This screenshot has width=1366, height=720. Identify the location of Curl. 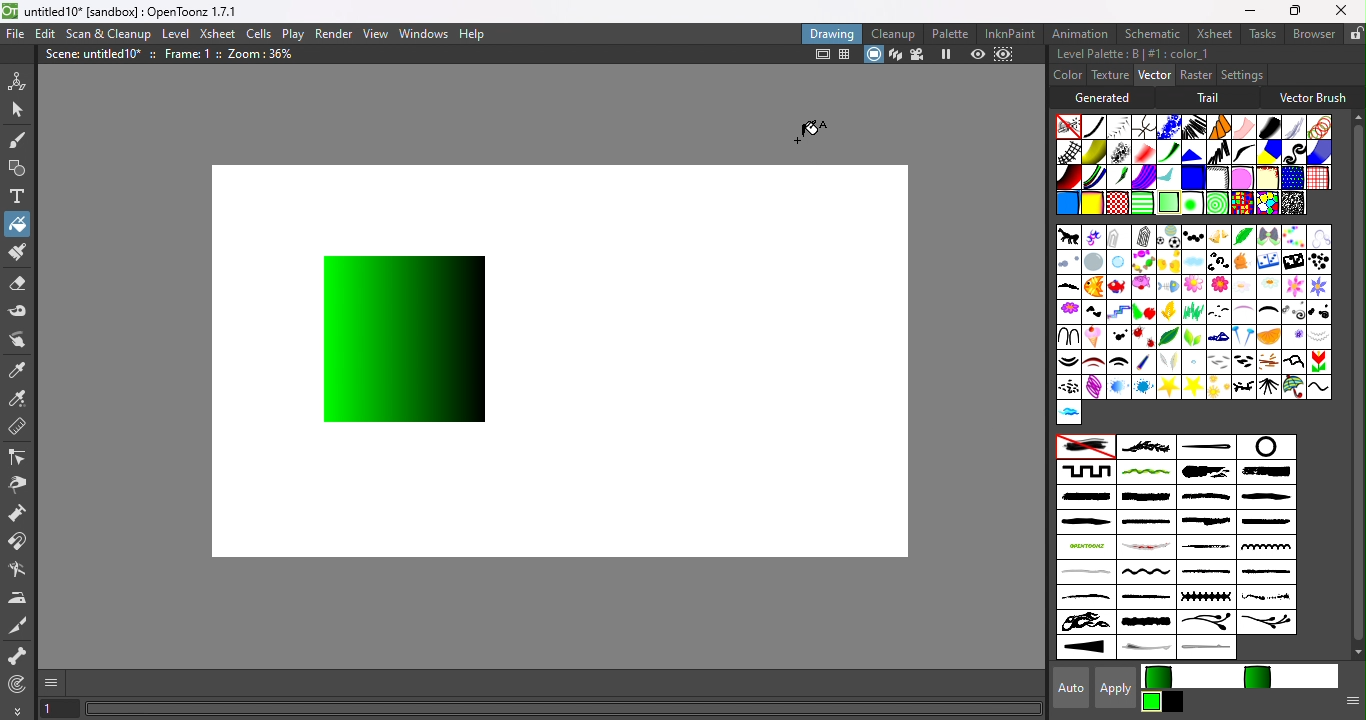
(1218, 261).